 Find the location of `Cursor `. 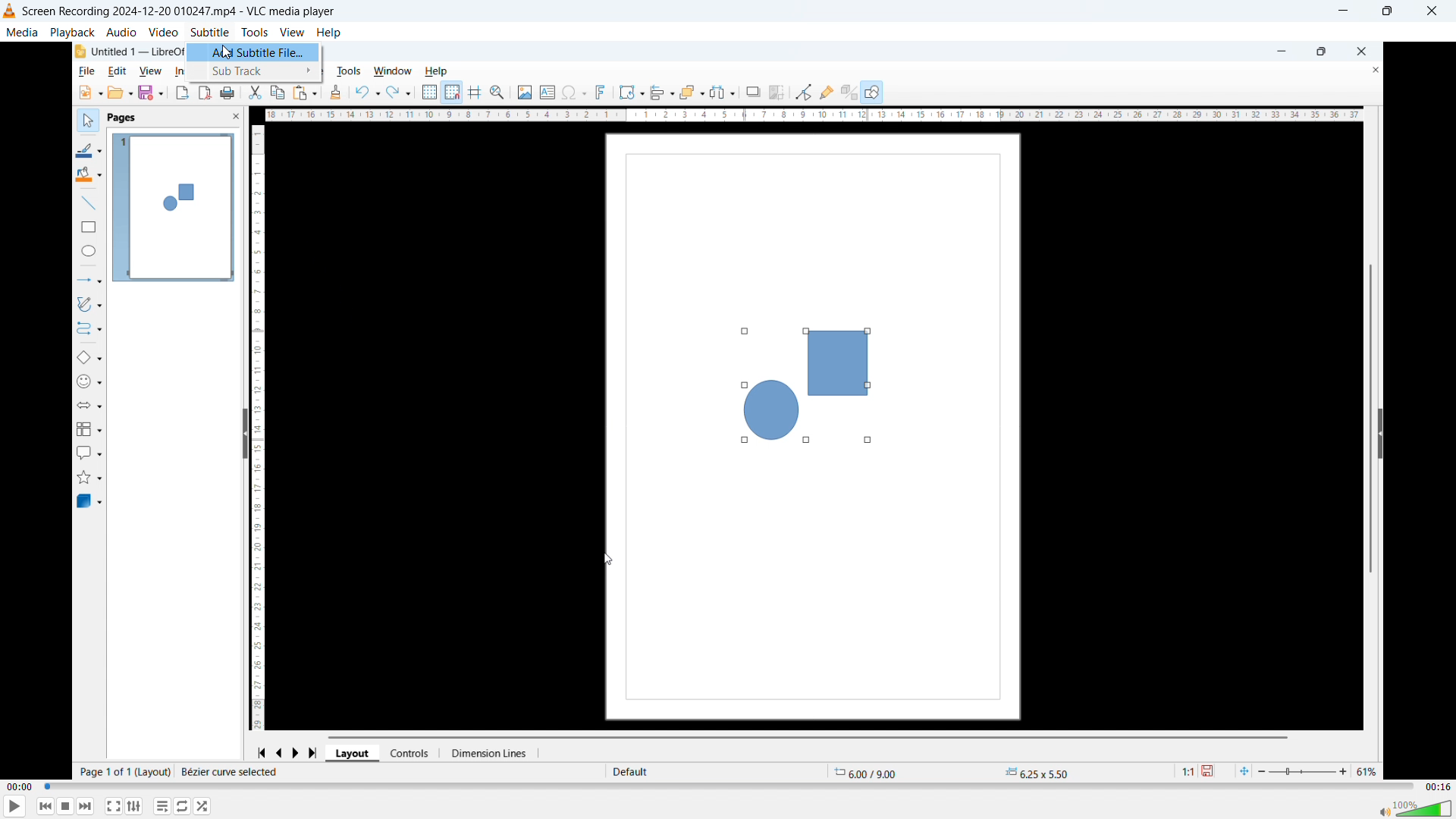

Cursor  is located at coordinates (228, 53).